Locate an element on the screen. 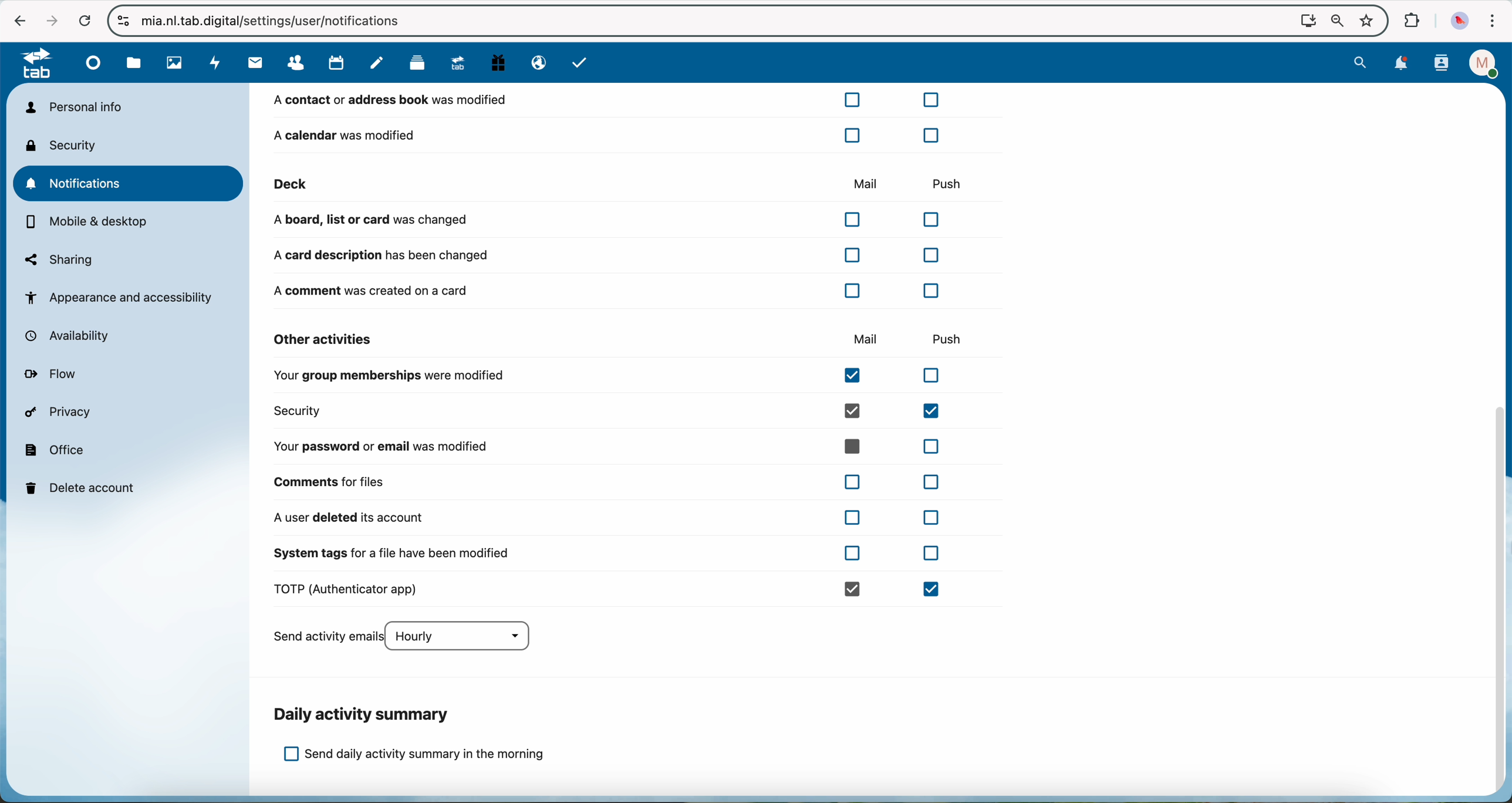 The image size is (1512, 803). navigate foward is located at coordinates (48, 19).